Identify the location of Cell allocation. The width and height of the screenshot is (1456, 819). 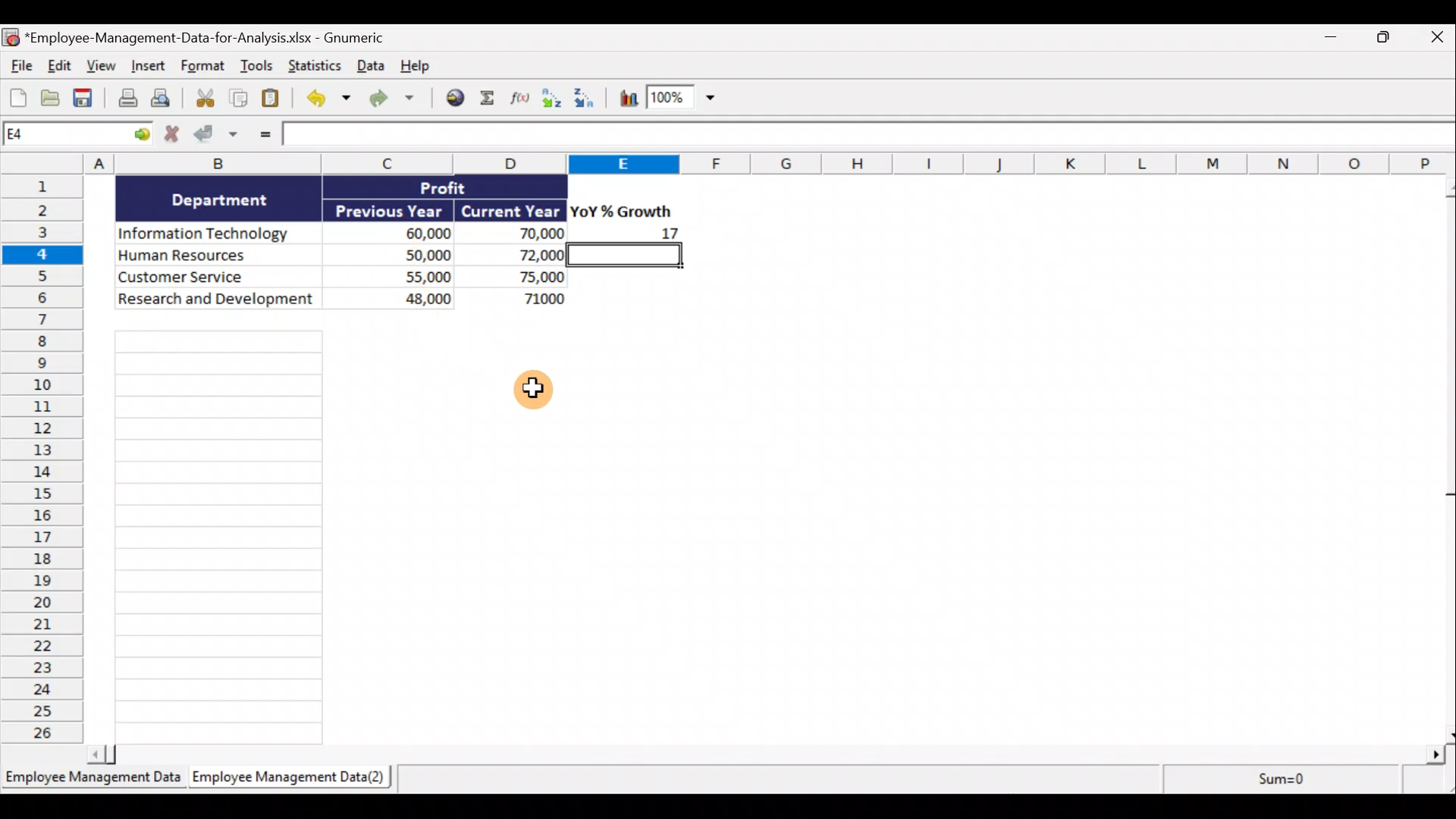
(79, 136).